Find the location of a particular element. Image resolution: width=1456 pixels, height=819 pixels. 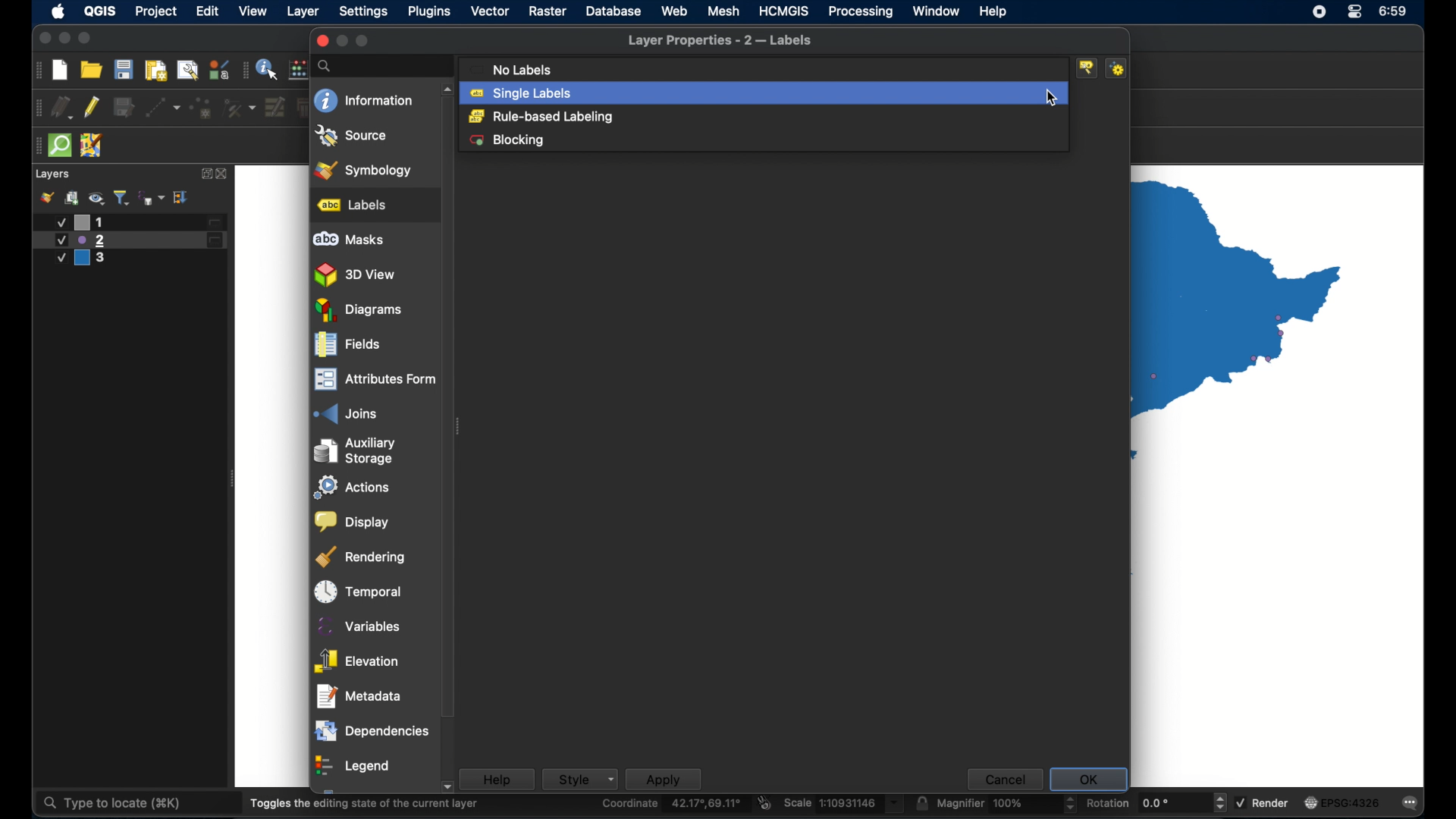

mesh is located at coordinates (723, 11).